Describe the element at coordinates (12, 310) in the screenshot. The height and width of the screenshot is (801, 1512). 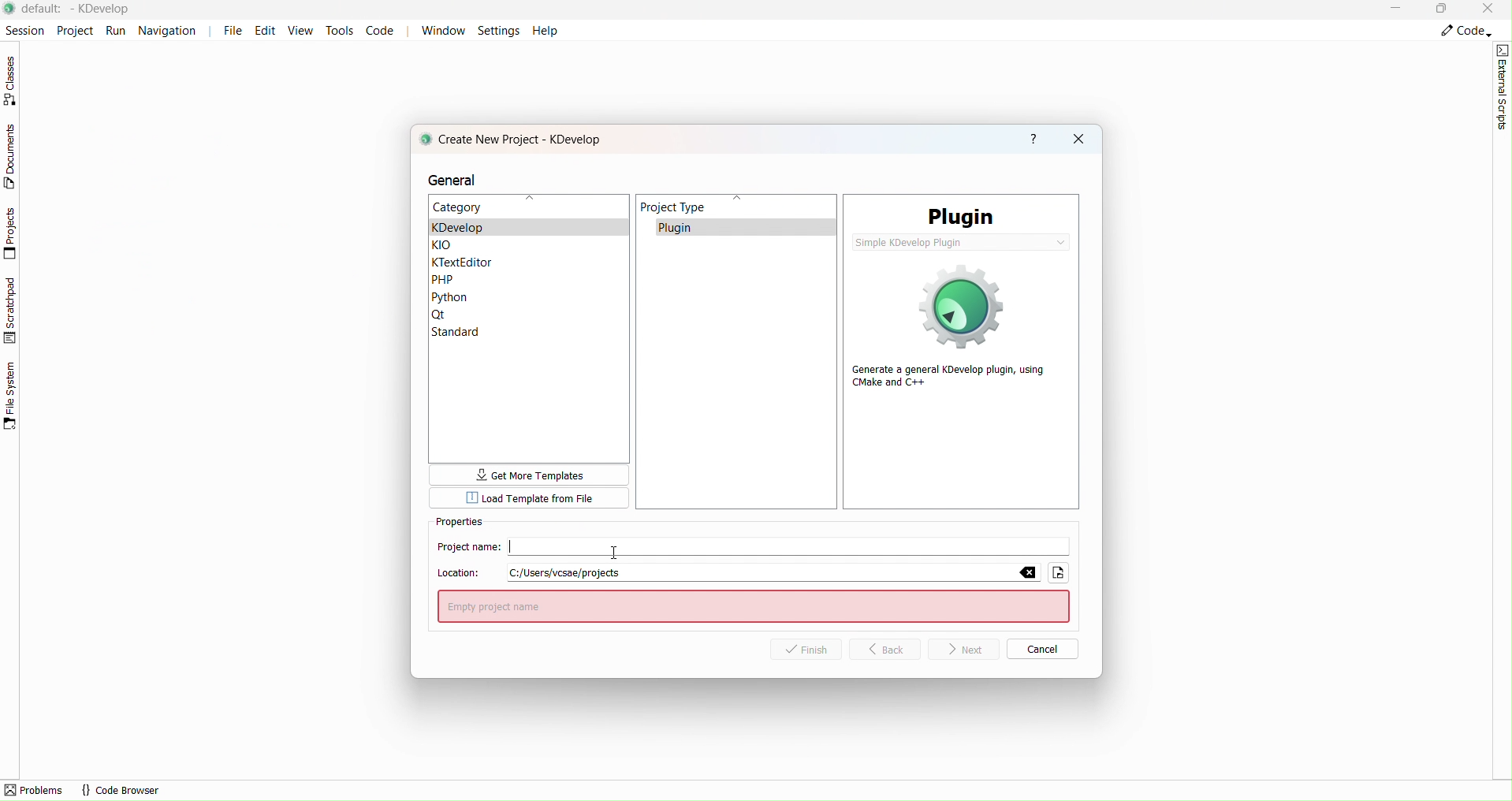
I see `Scratchpad` at that location.